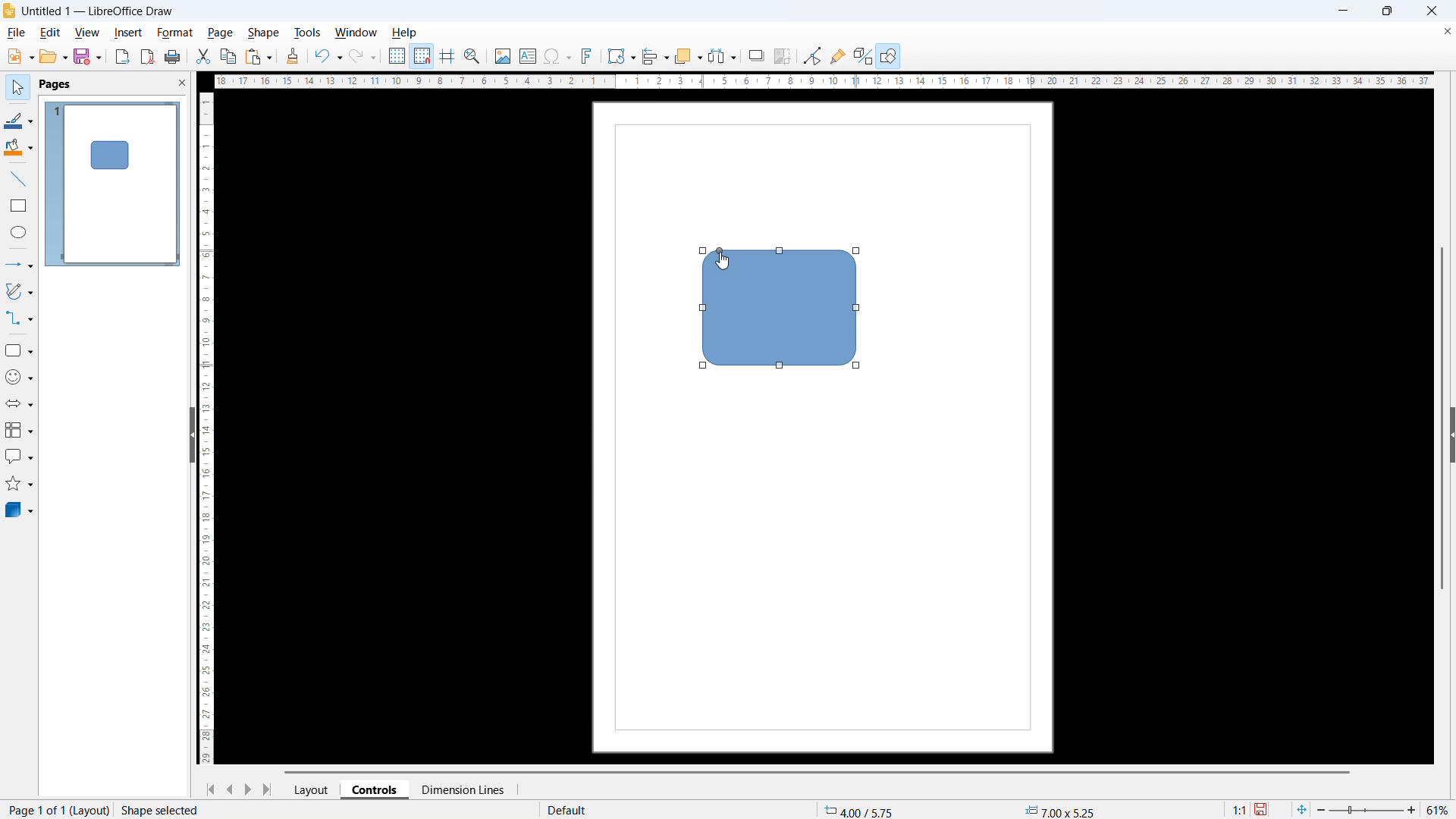  What do you see at coordinates (19, 291) in the screenshot?
I see `Curves and polygons ` at bounding box center [19, 291].